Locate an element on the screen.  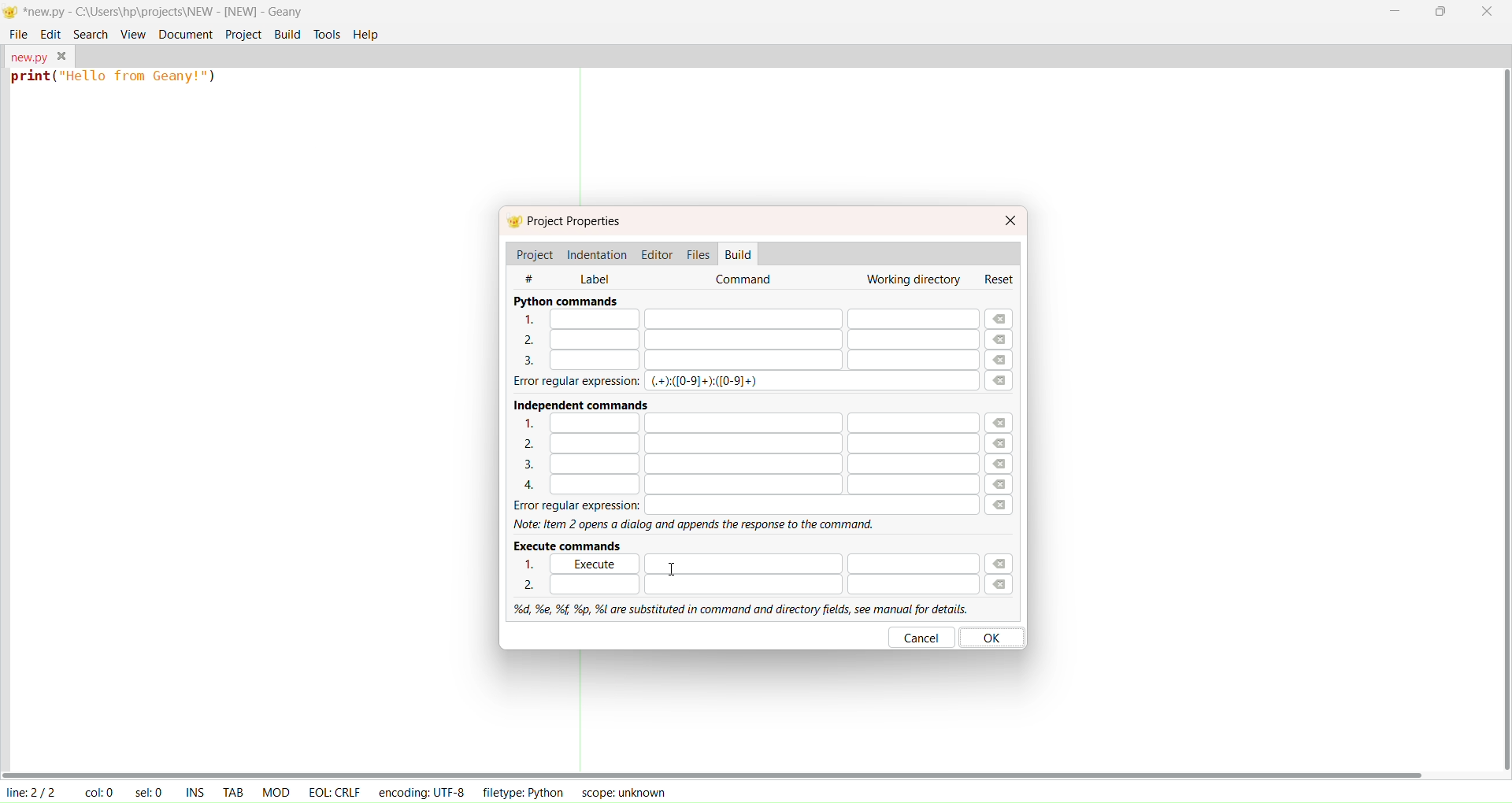
4. is located at coordinates (738, 486).